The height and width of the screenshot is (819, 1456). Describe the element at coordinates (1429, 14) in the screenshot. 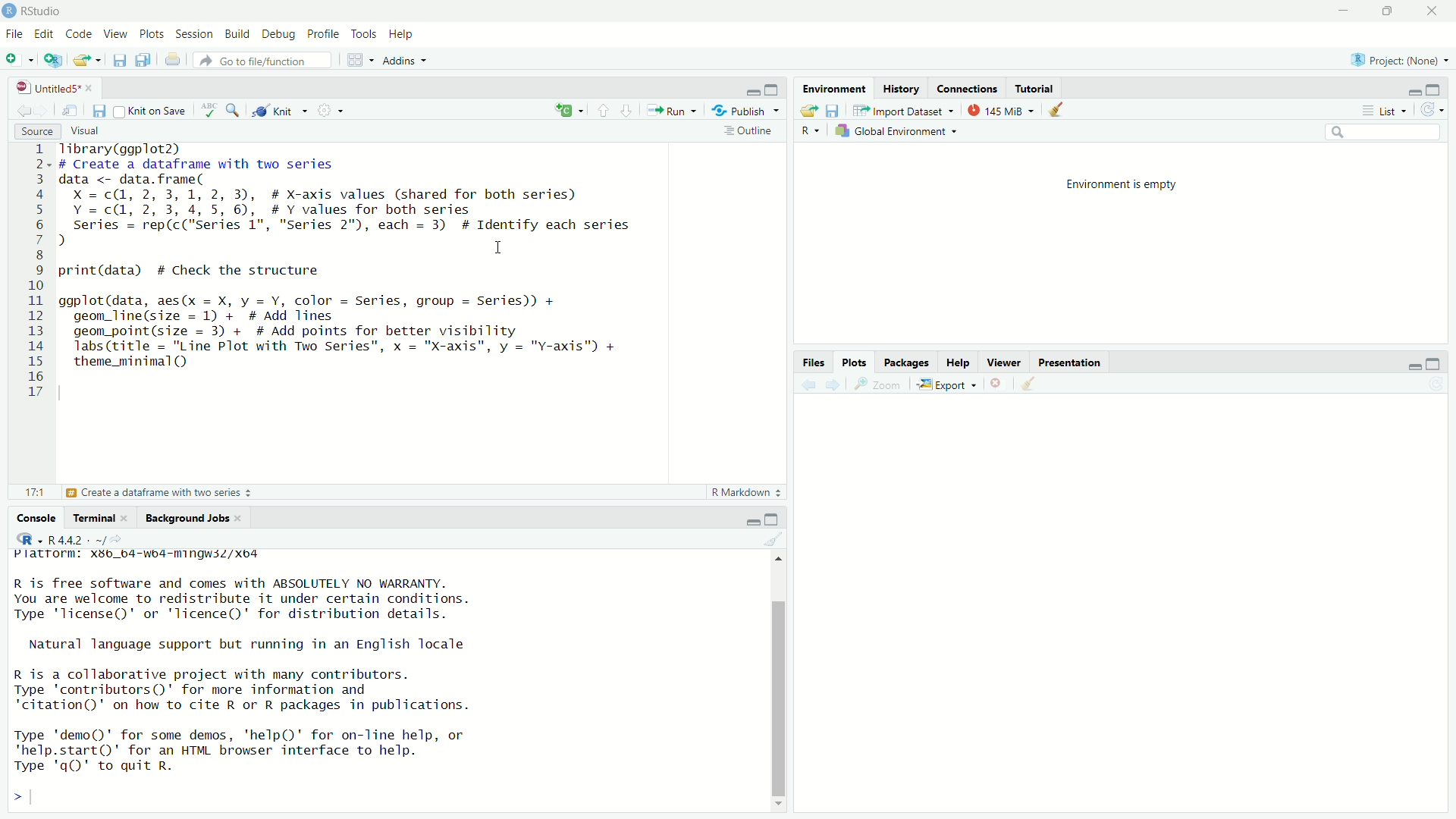

I see `Close` at that location.